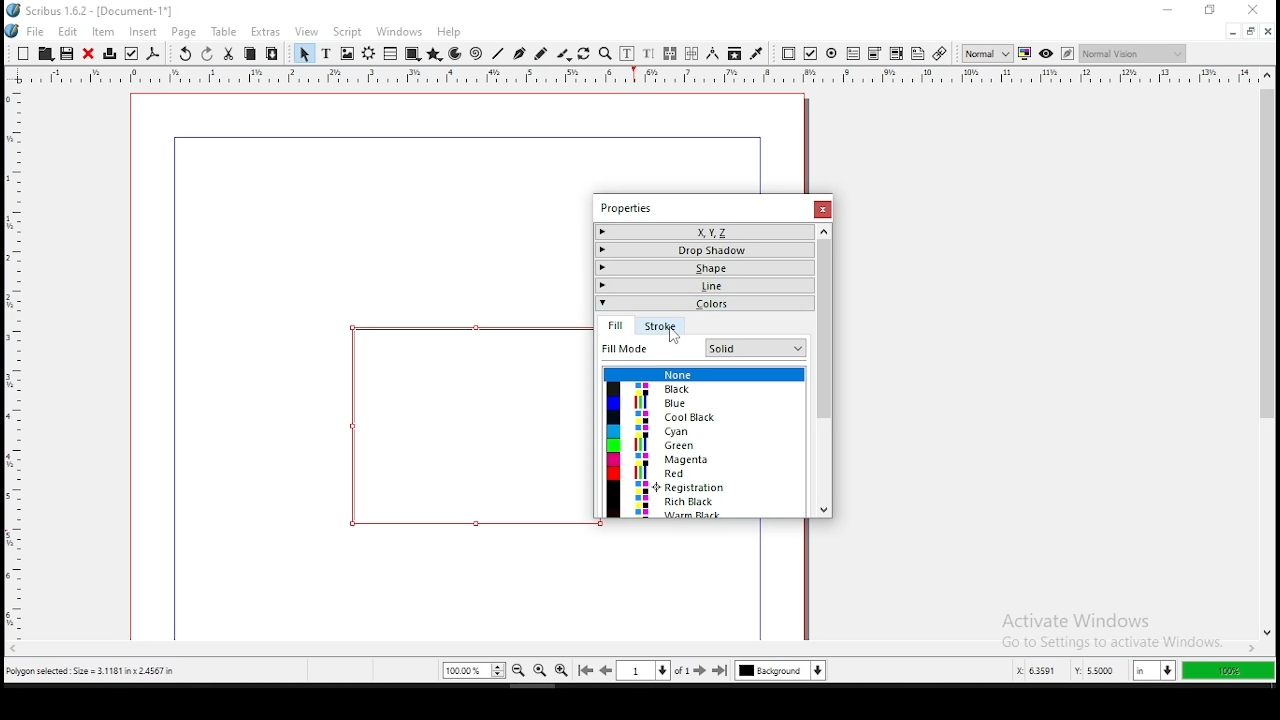  What do you see at coordinates (1105, 622) in the screenshot?
I see `activate windows` at bounding box center [1105, 622].